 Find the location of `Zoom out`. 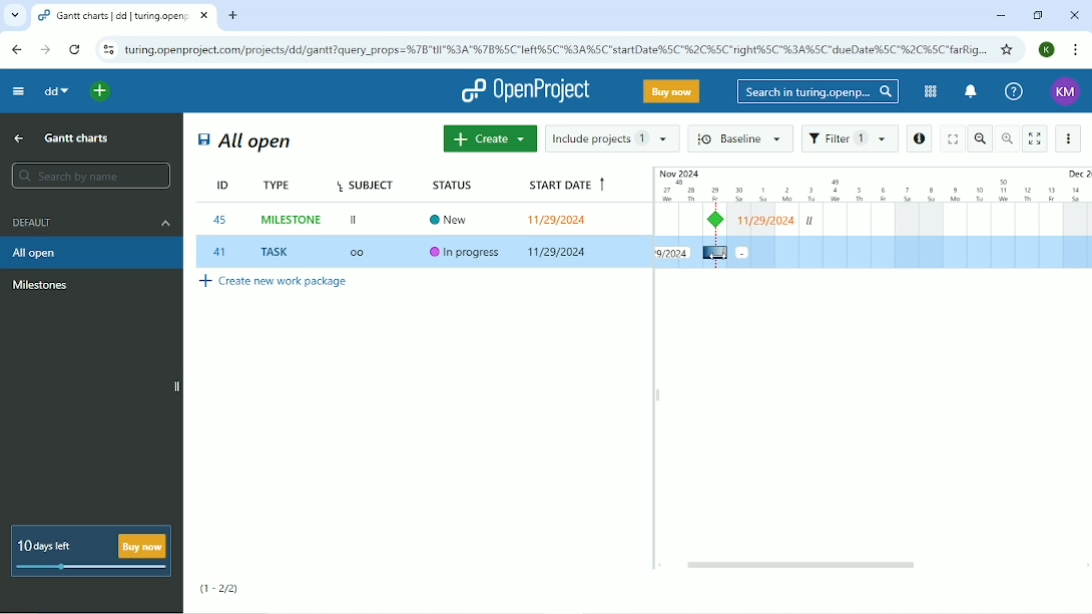

Zoom out is located at coordinates (981, 138).